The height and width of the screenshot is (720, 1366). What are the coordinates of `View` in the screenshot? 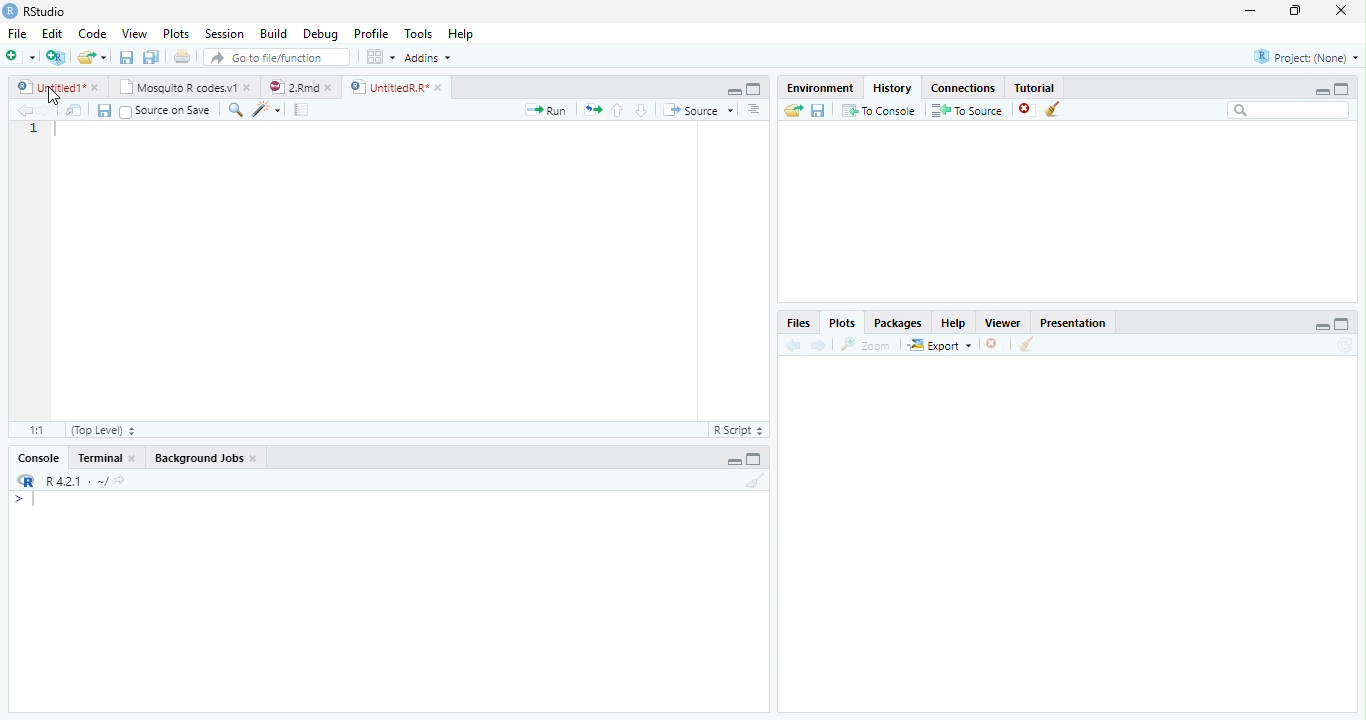 It's located at (134, 34).